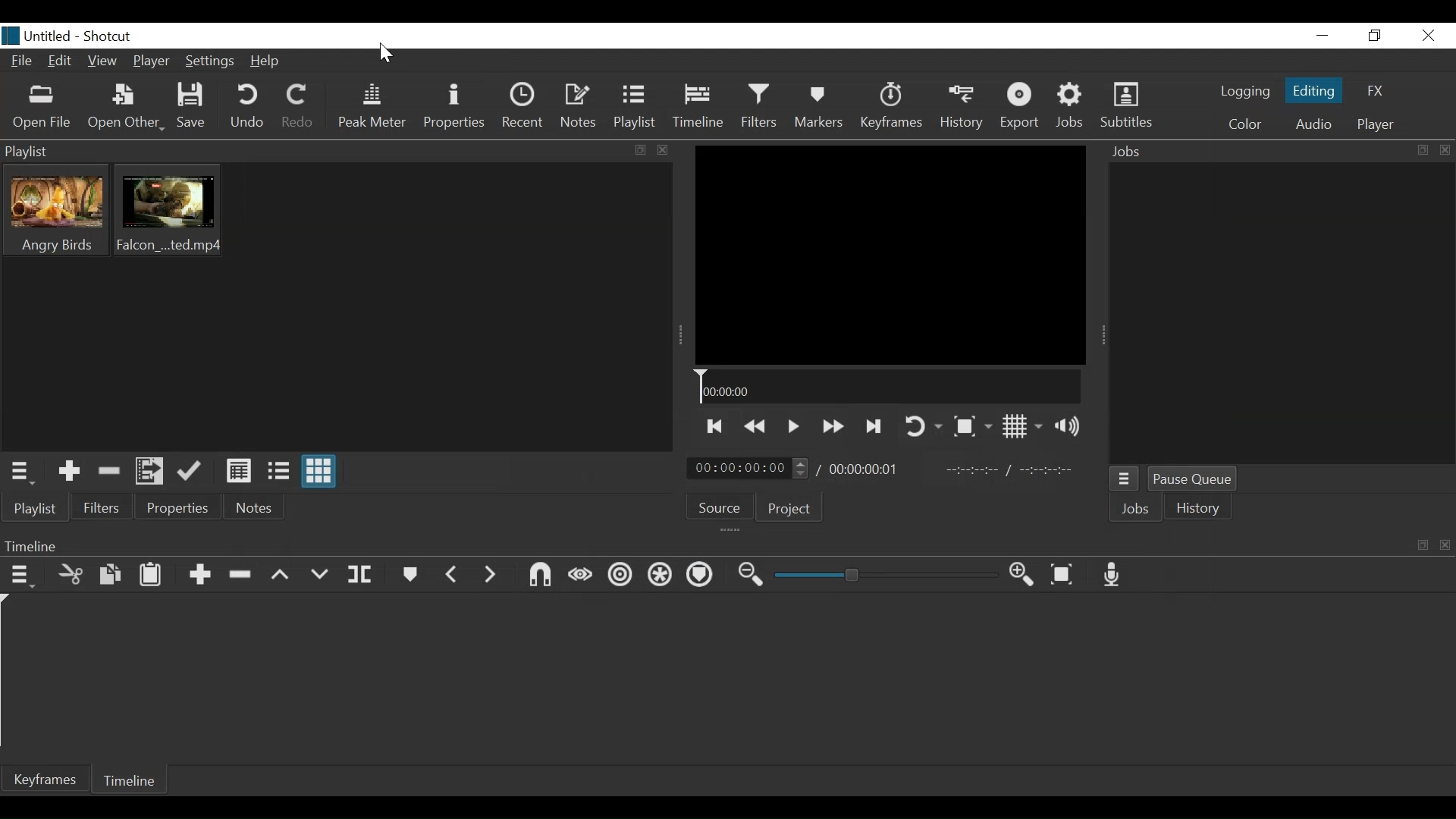 The width and height of the screenshot is (1456, 819). What do you see at coordinates (539, 575) in the screenshot?
I see `Snap` at bounding box center [539, 575].